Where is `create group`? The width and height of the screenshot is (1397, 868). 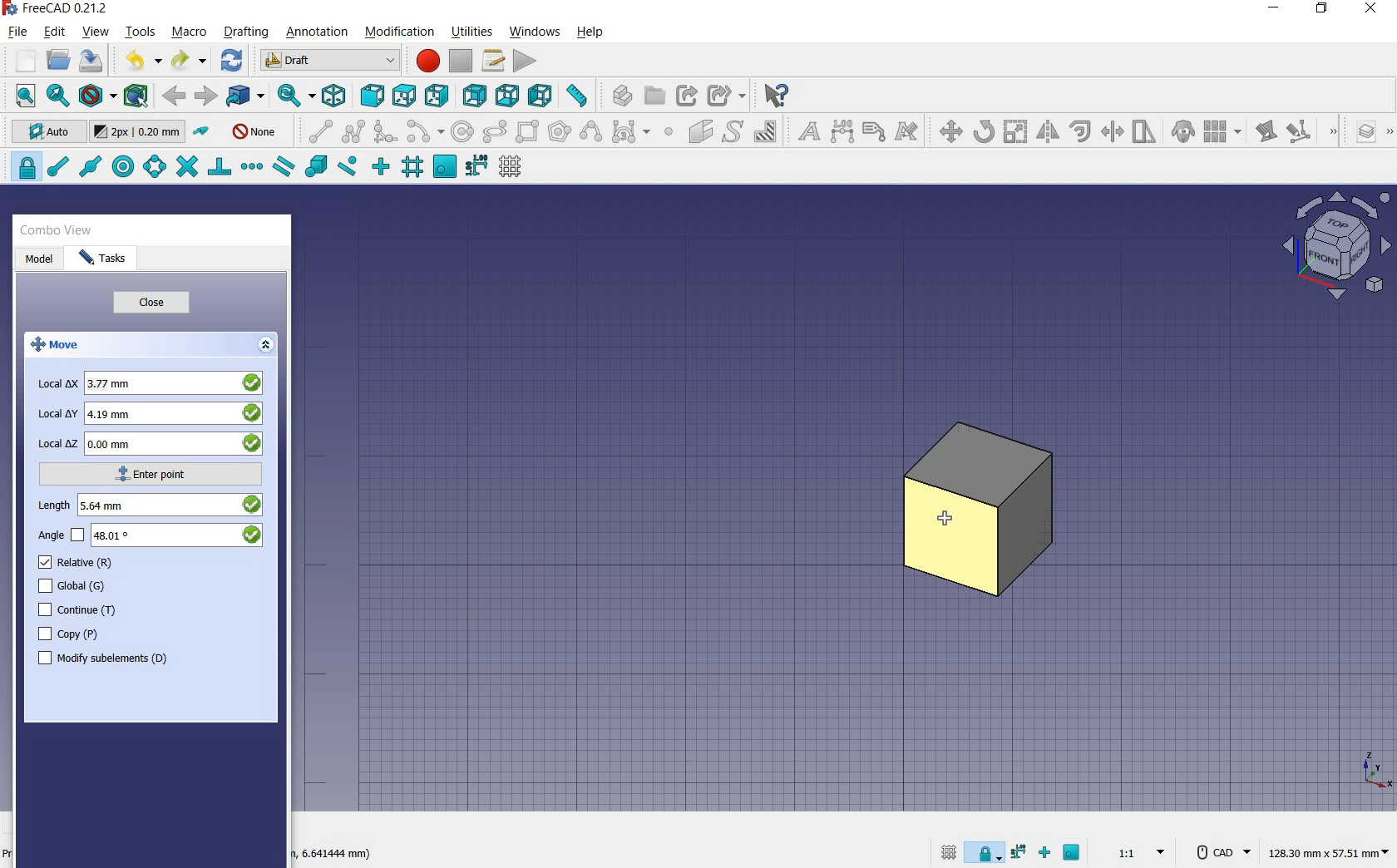 create group is located at coordinates (654, 96).